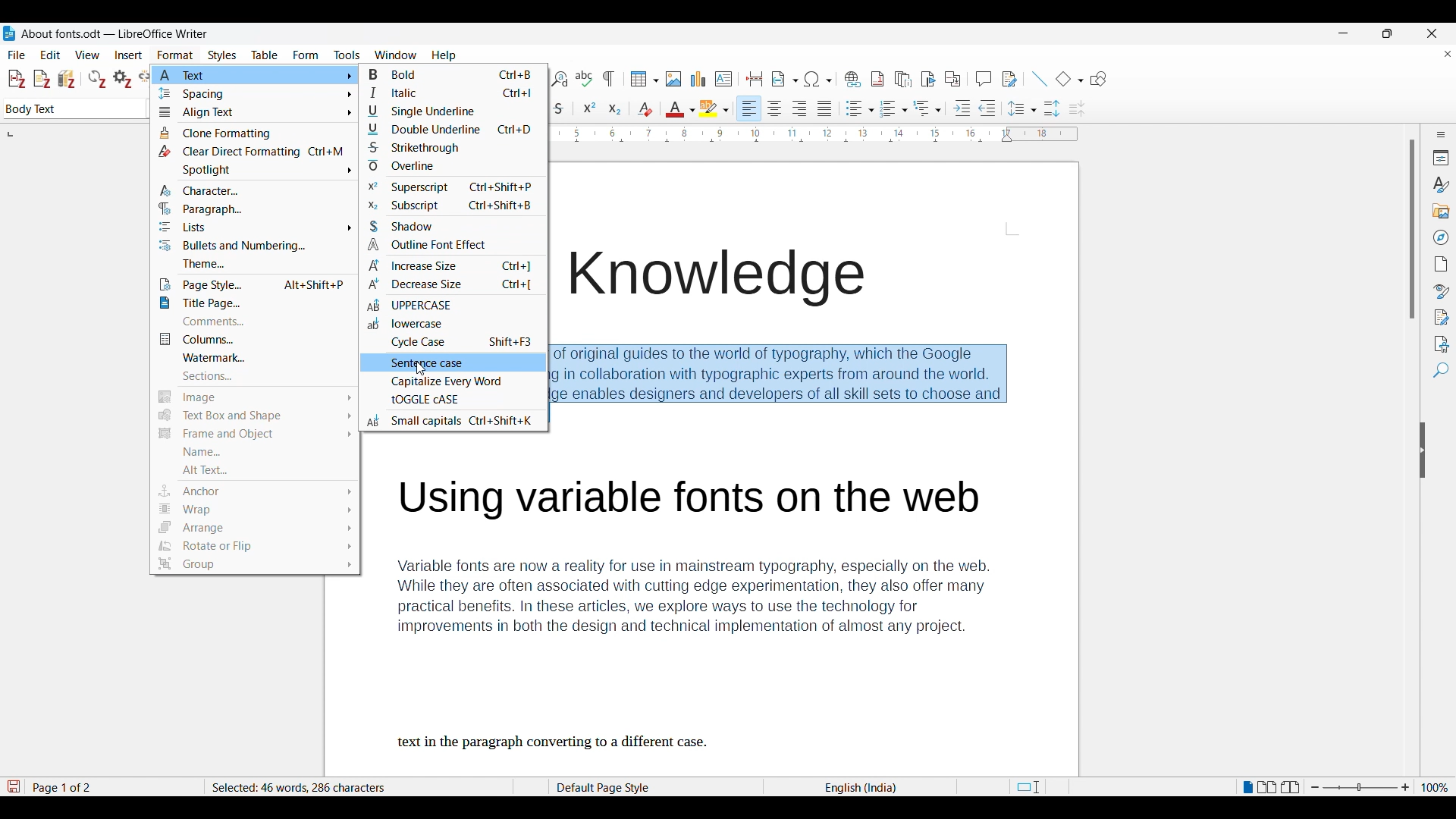  I want to click on Add\Edit citation, so click(17, 80).